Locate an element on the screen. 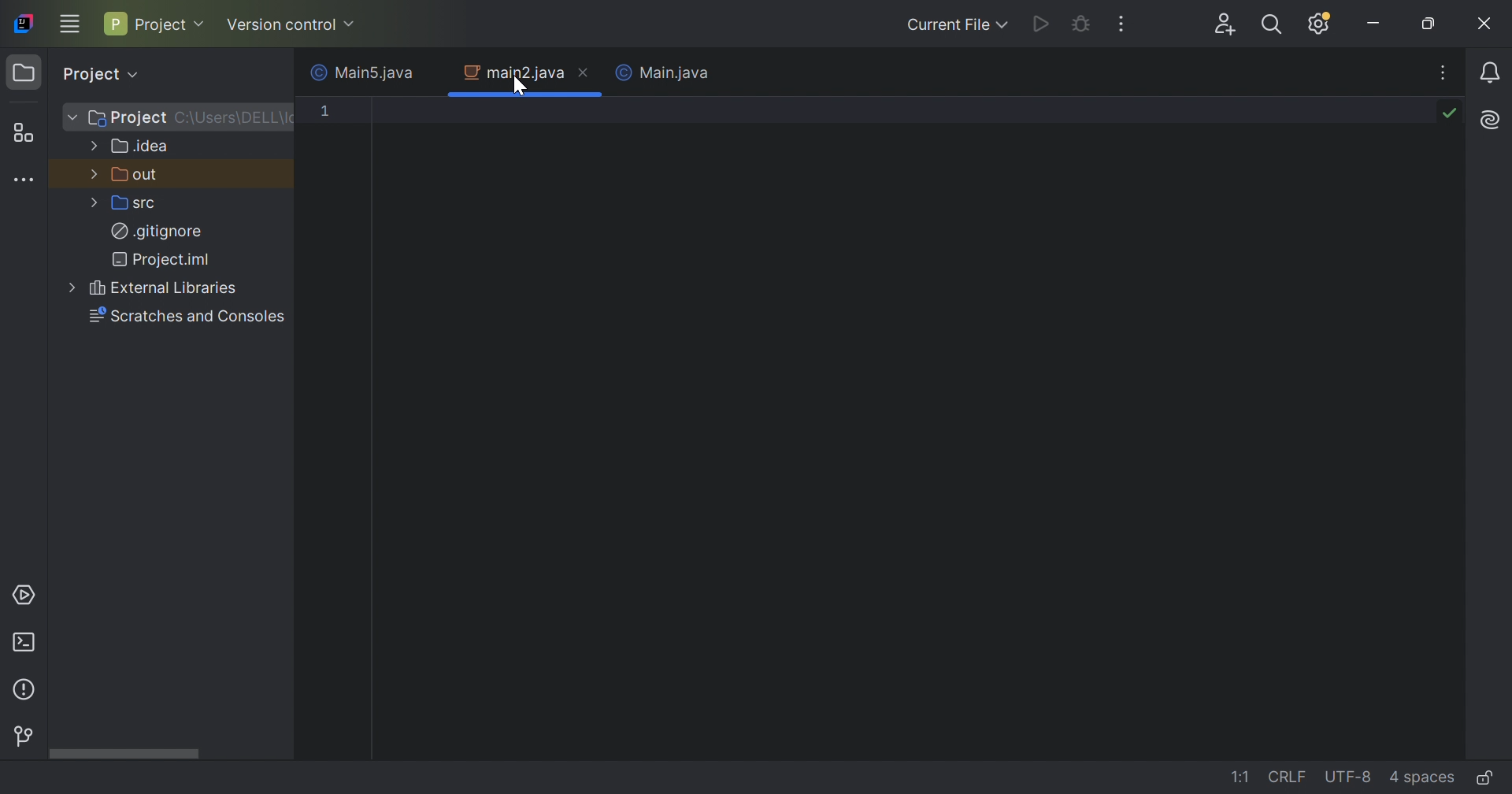 This screenshot has width=1512, height=794. More tool windows is located at coordinates (27, 180).